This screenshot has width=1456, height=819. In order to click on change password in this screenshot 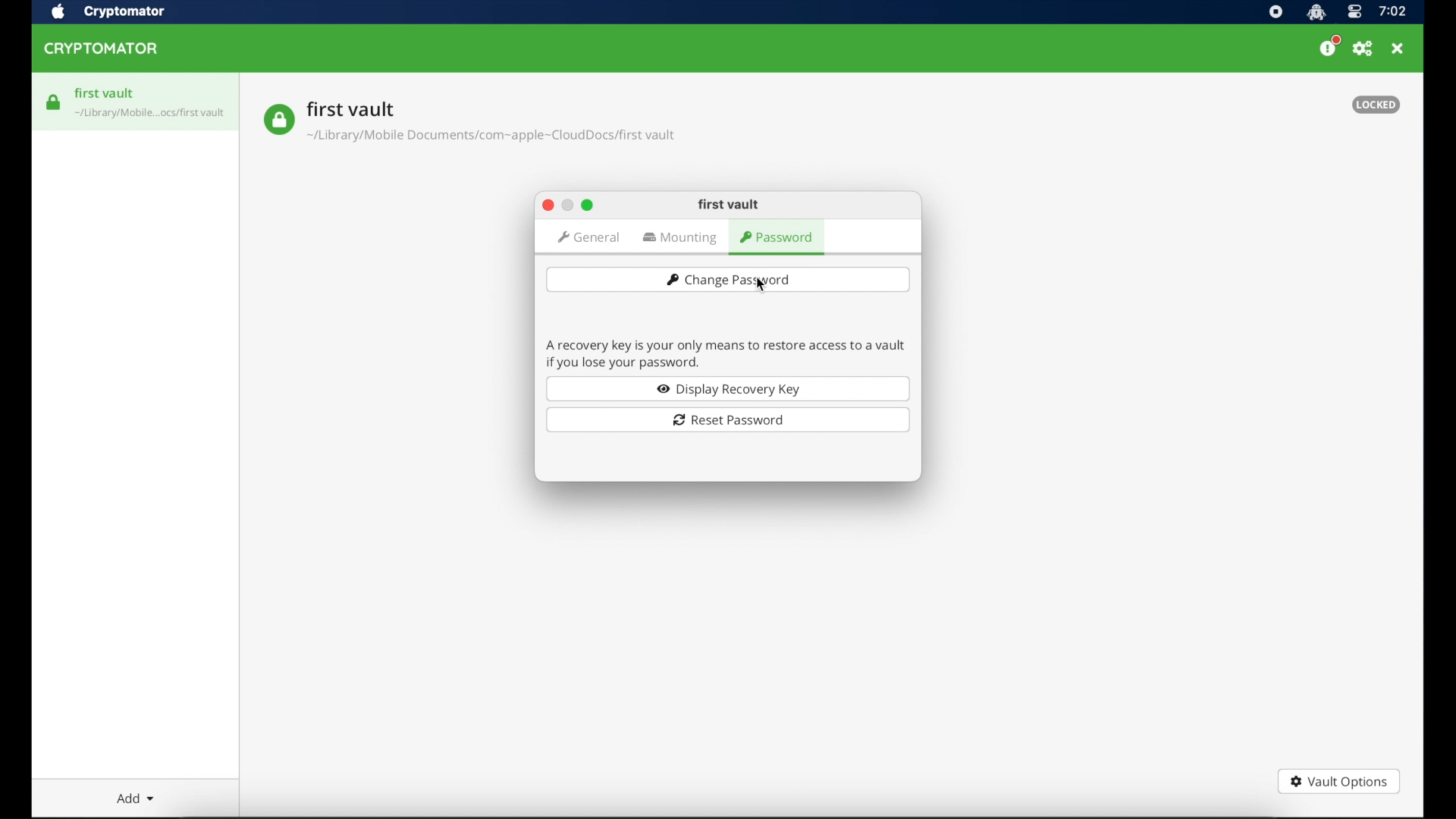, I will do `click(727, 279)`.